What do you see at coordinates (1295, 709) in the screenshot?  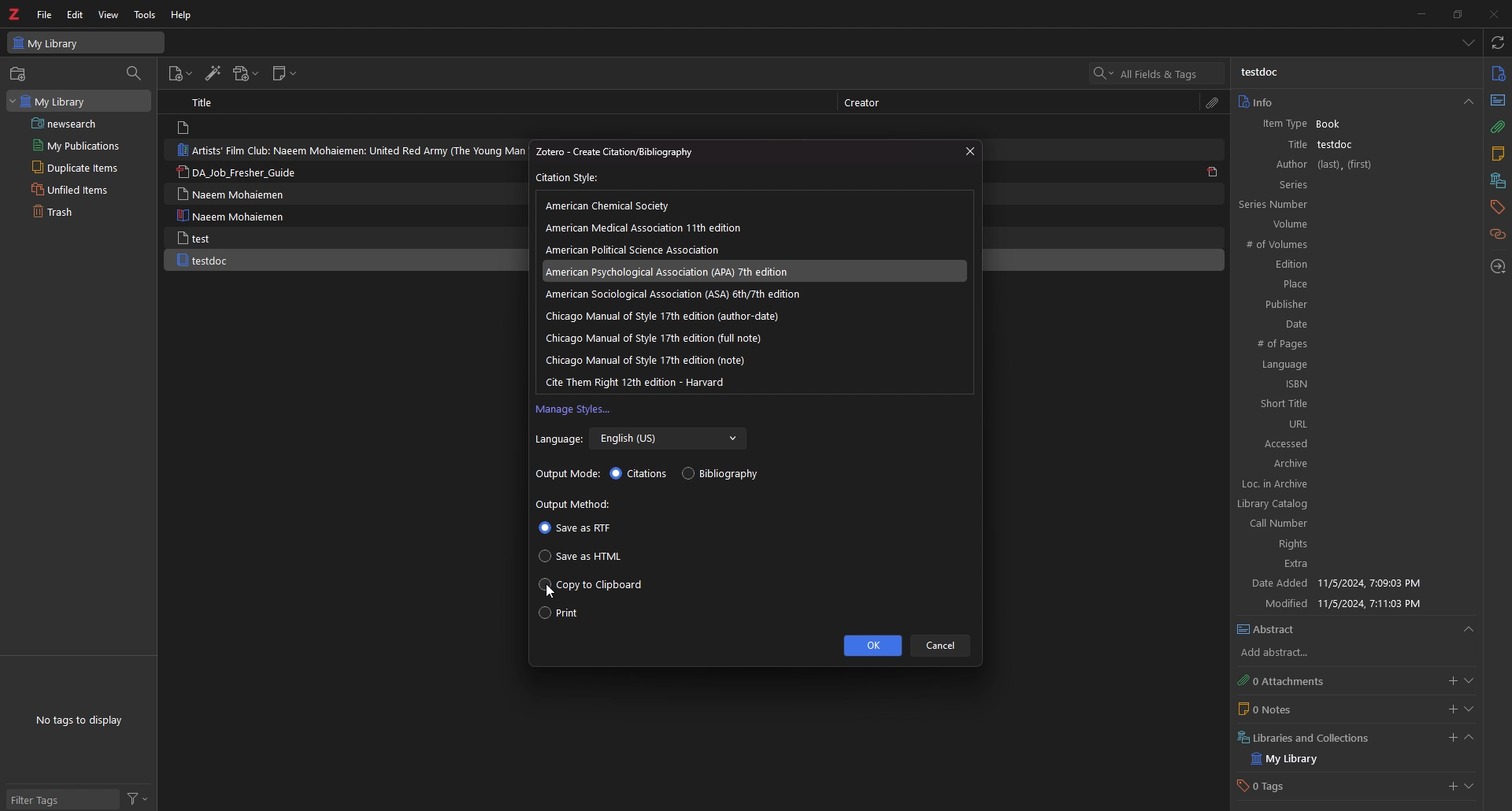 I see `0 Notes` at bounding box center [1295, 709].